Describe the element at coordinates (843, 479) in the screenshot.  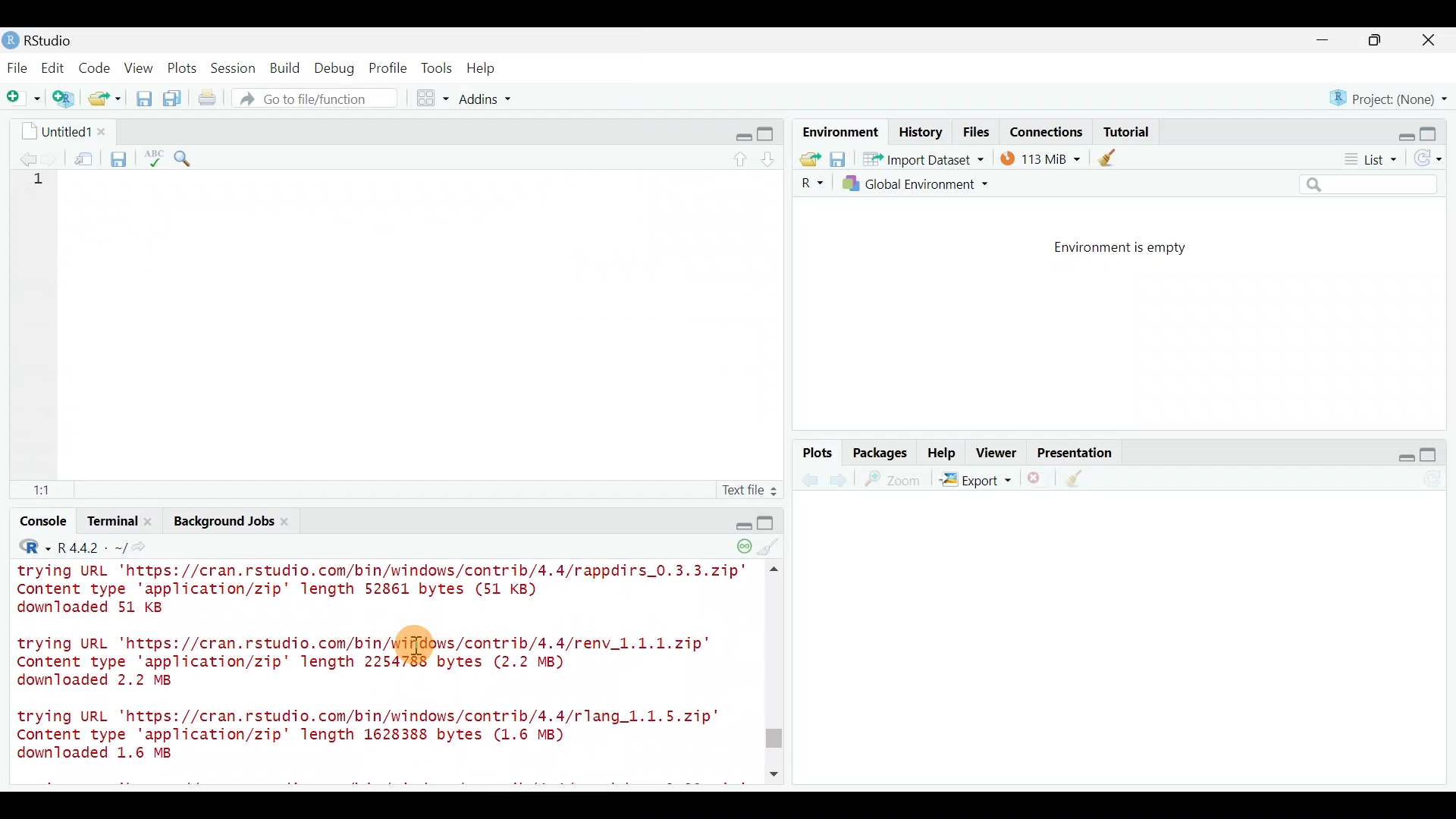
I see `previous plot` at that location.